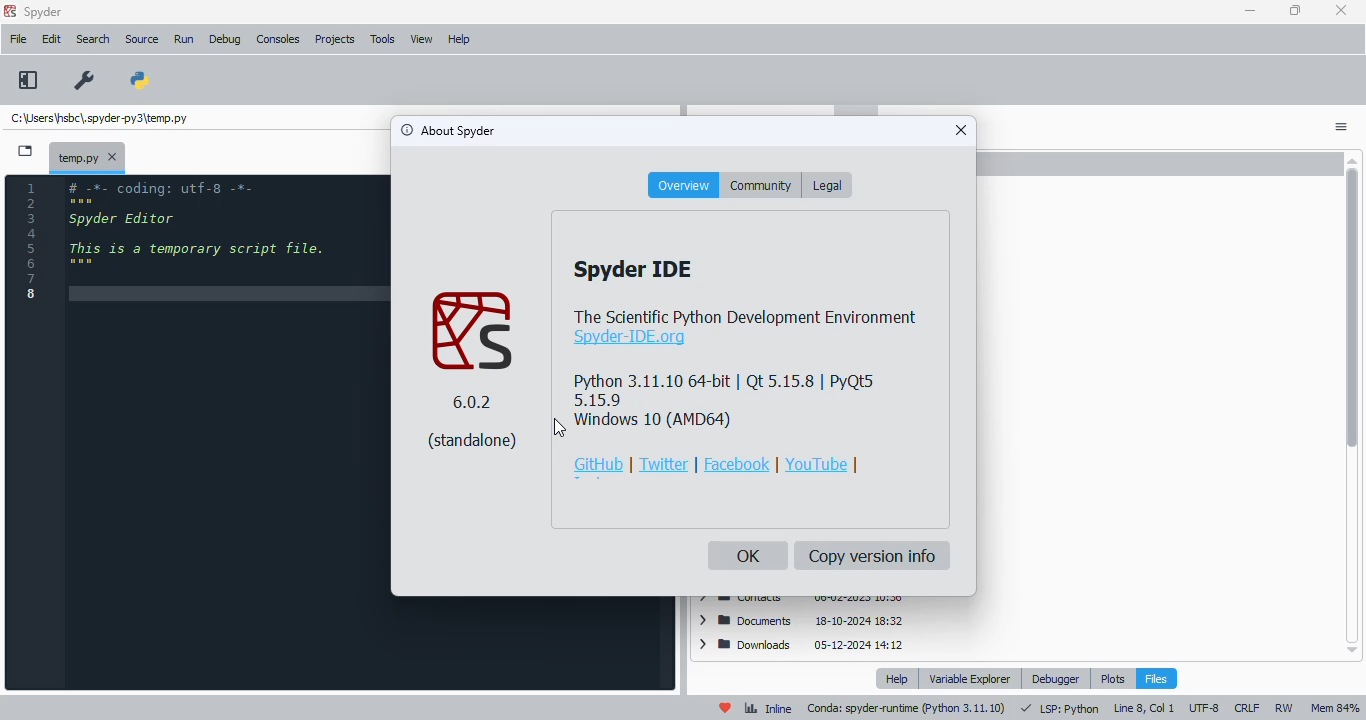 This screenshot has width=1366, height=720. I want to click on spyder, so click(43, 12).